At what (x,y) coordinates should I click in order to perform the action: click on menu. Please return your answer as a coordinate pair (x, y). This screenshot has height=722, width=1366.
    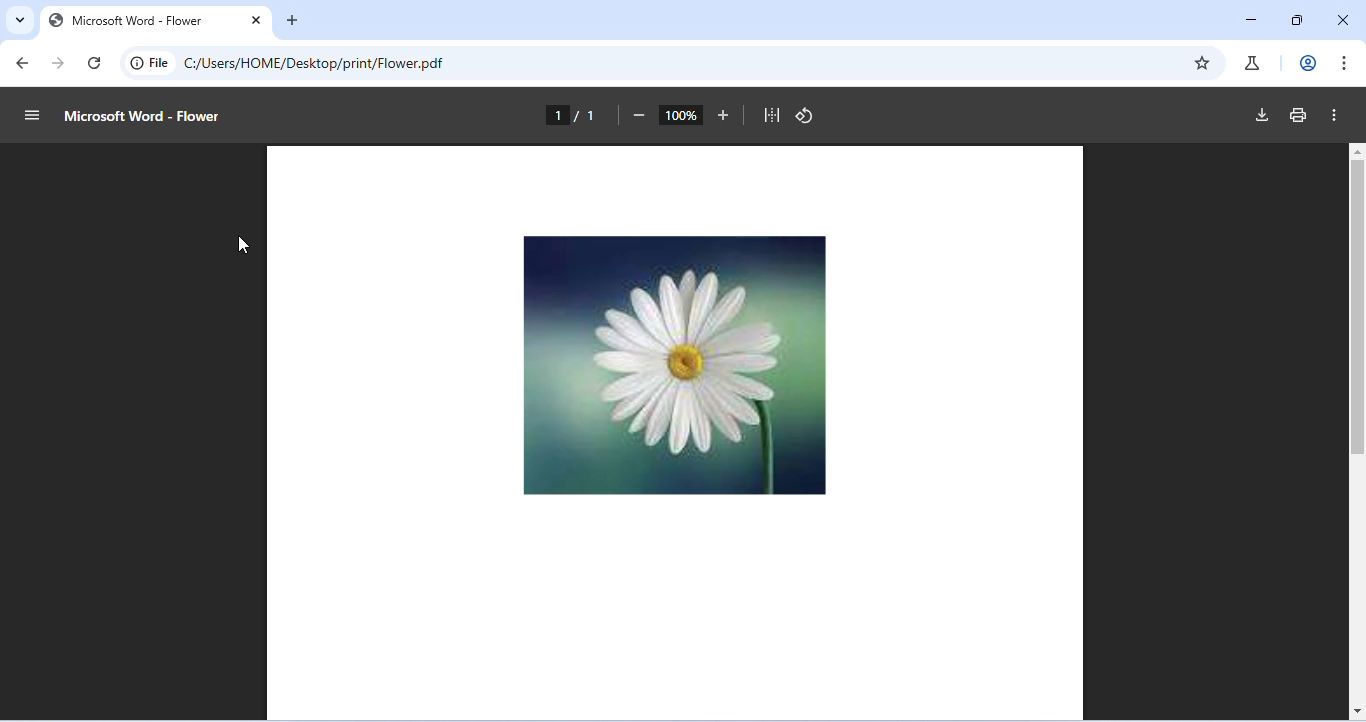
    Looking at the image, I should click on (32, 114).